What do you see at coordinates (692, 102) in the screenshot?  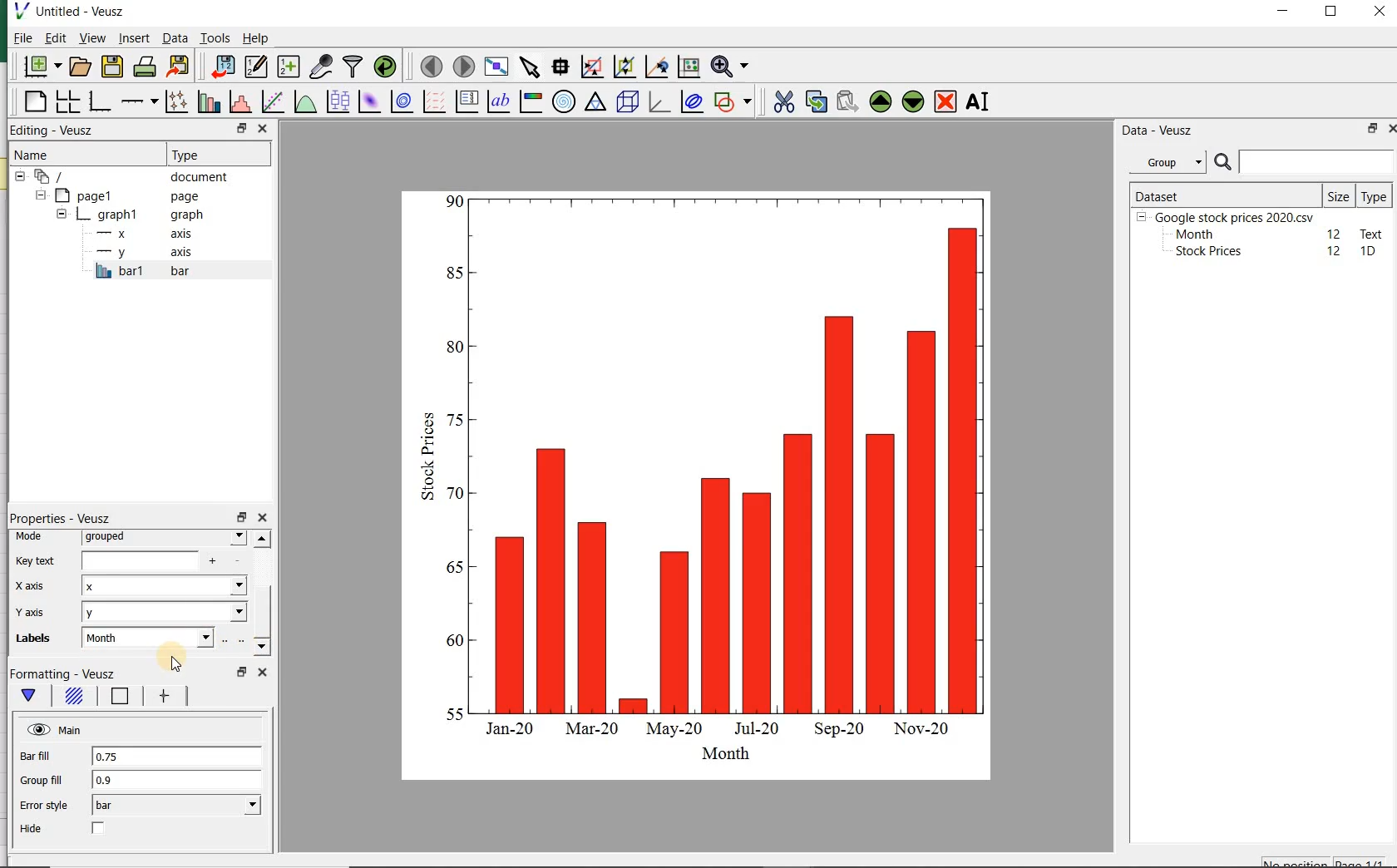 I see `plot covariance ellipses` at bounding box center [692, 102].